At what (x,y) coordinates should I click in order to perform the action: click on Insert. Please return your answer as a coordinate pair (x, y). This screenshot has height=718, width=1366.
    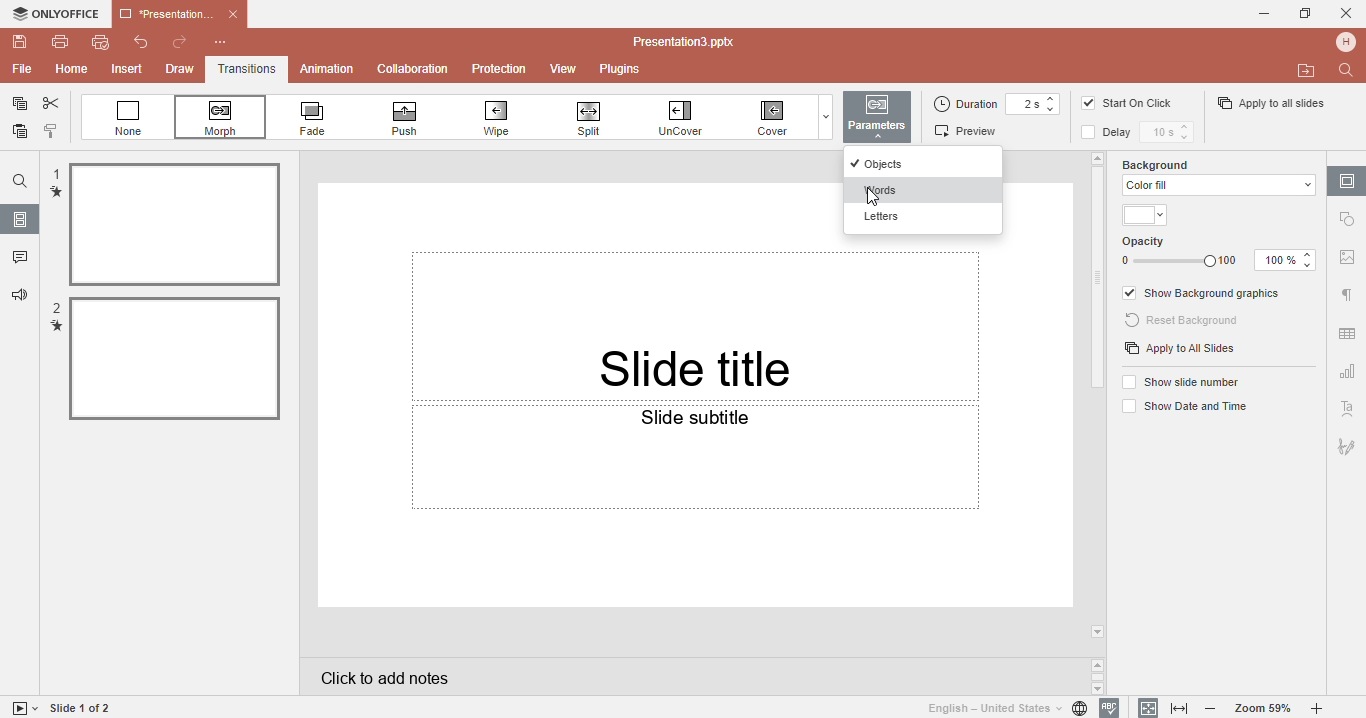
    Looking at the image, I should click on (129, 70).